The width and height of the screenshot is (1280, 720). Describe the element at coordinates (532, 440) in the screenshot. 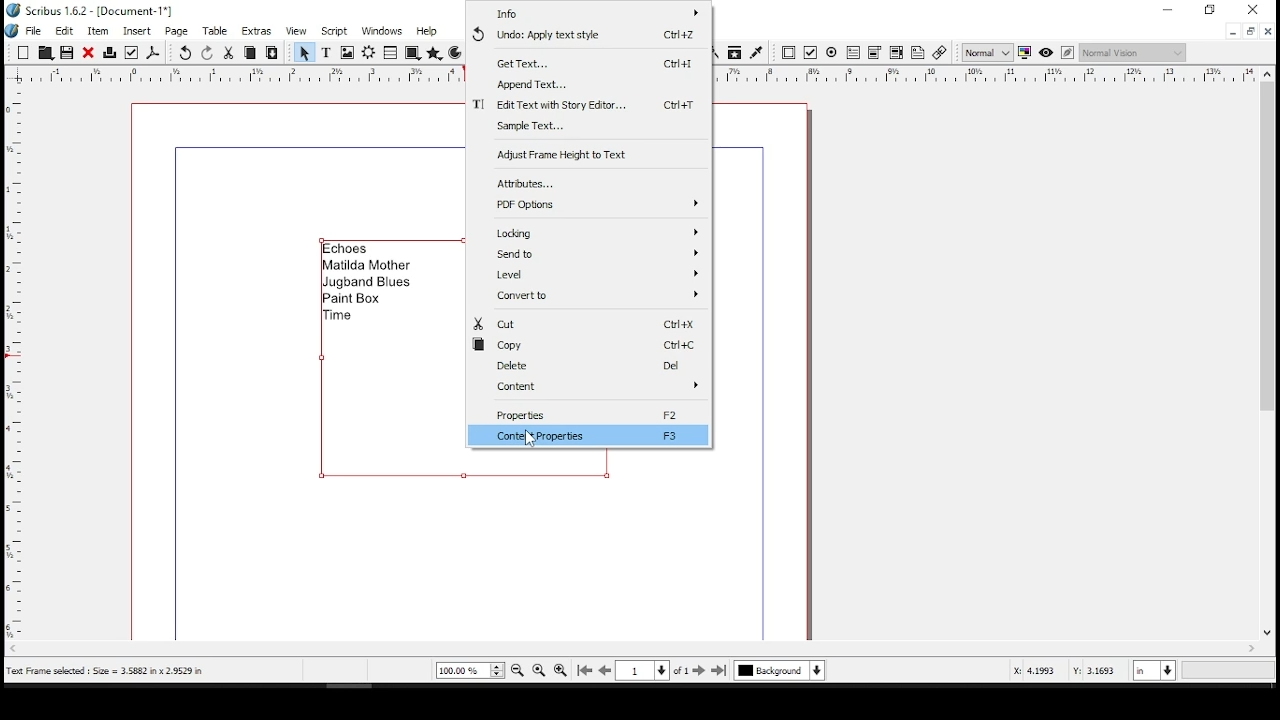

I see `mouse pointer` at that location.